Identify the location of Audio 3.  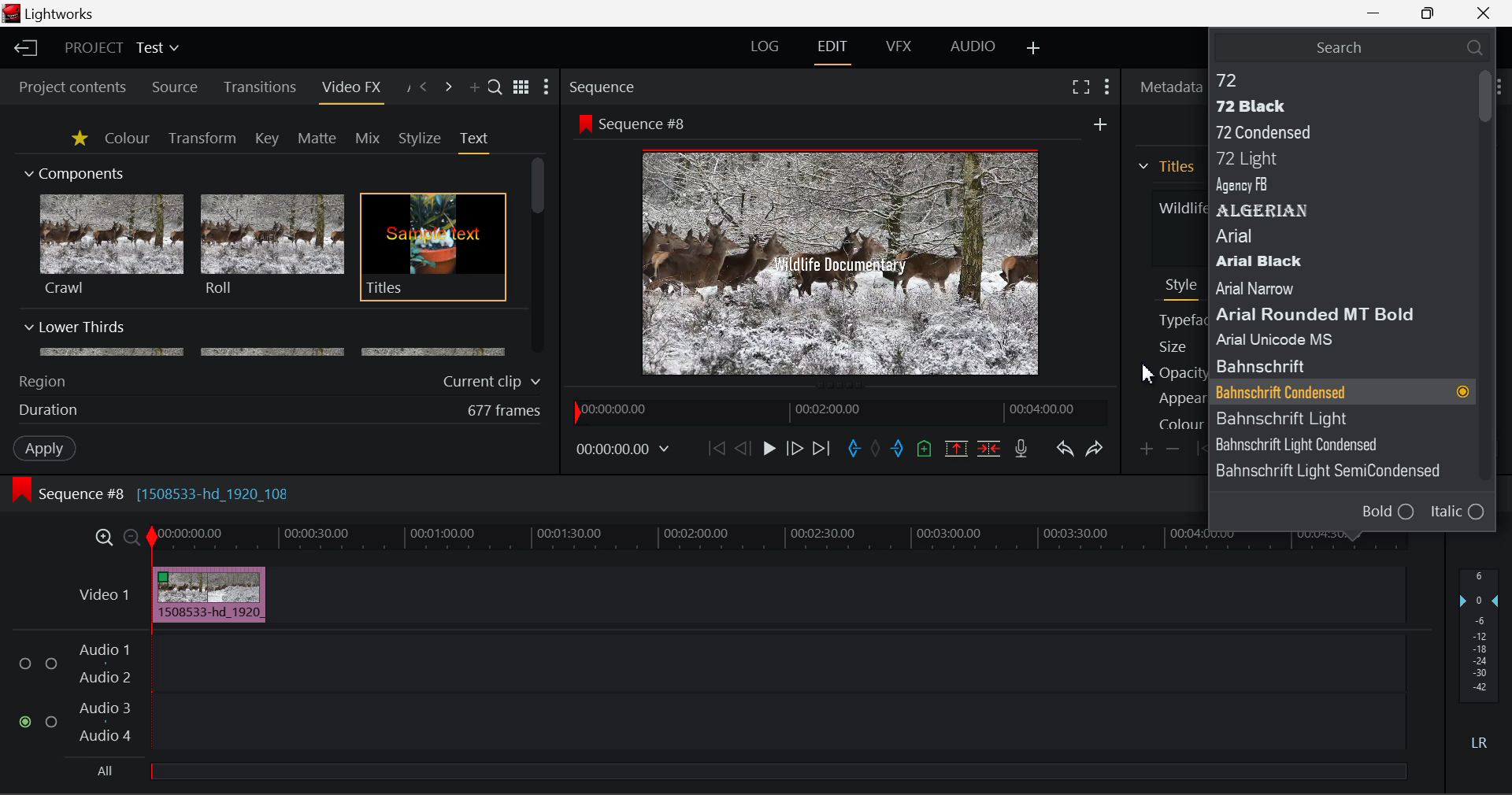
(104, 707).